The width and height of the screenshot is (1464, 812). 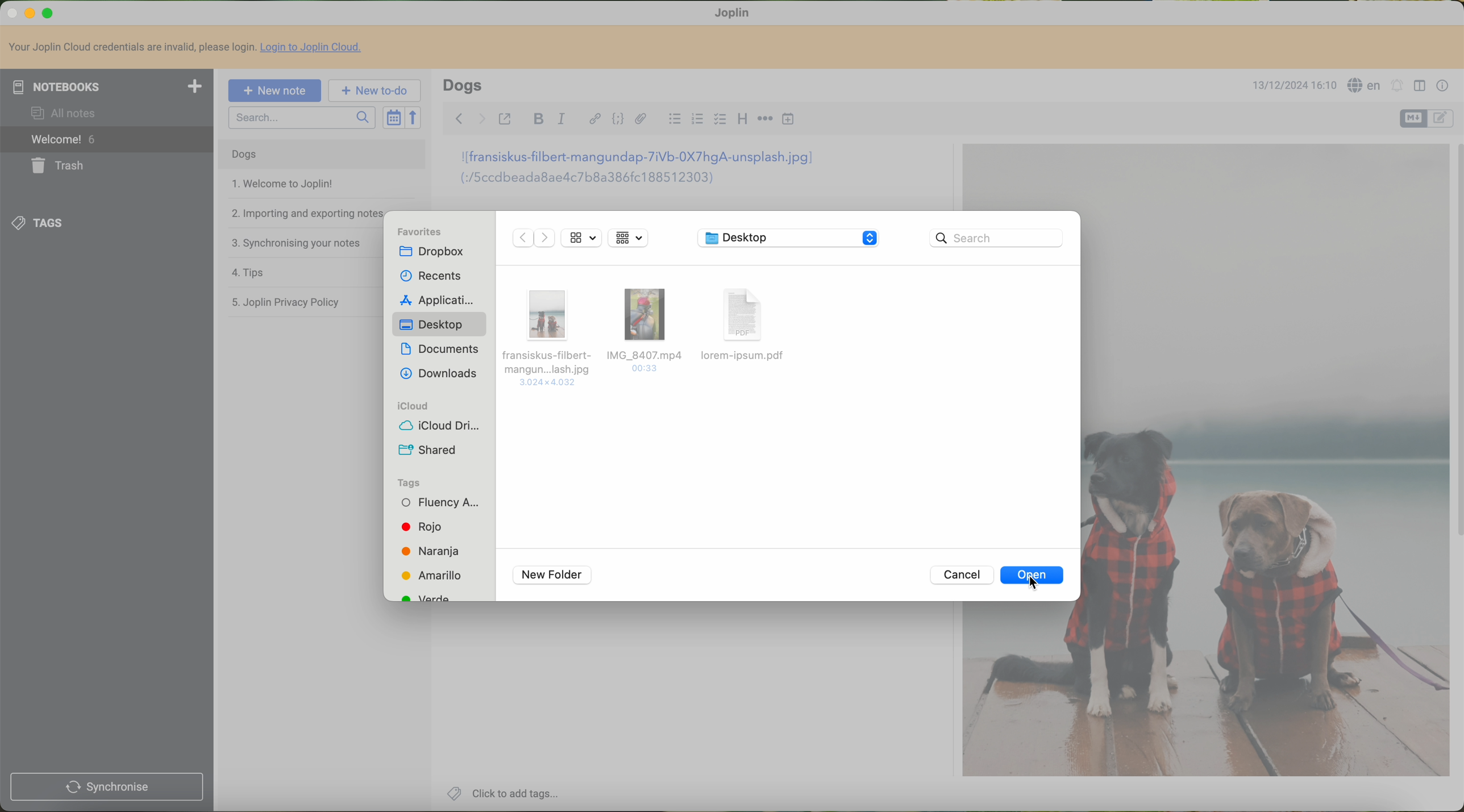 I want to click on Joplin, so click(x=734, y=12).